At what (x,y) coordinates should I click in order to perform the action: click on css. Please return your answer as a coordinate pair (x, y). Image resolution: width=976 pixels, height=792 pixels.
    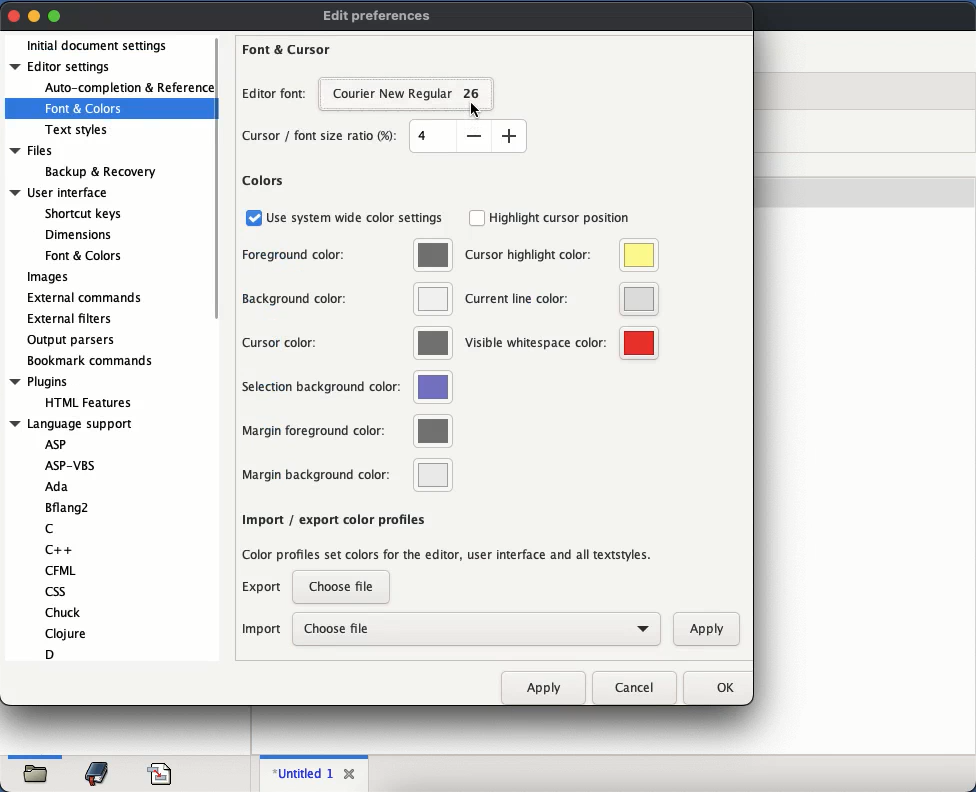
    Looking at the image, I should click on (62, 591).